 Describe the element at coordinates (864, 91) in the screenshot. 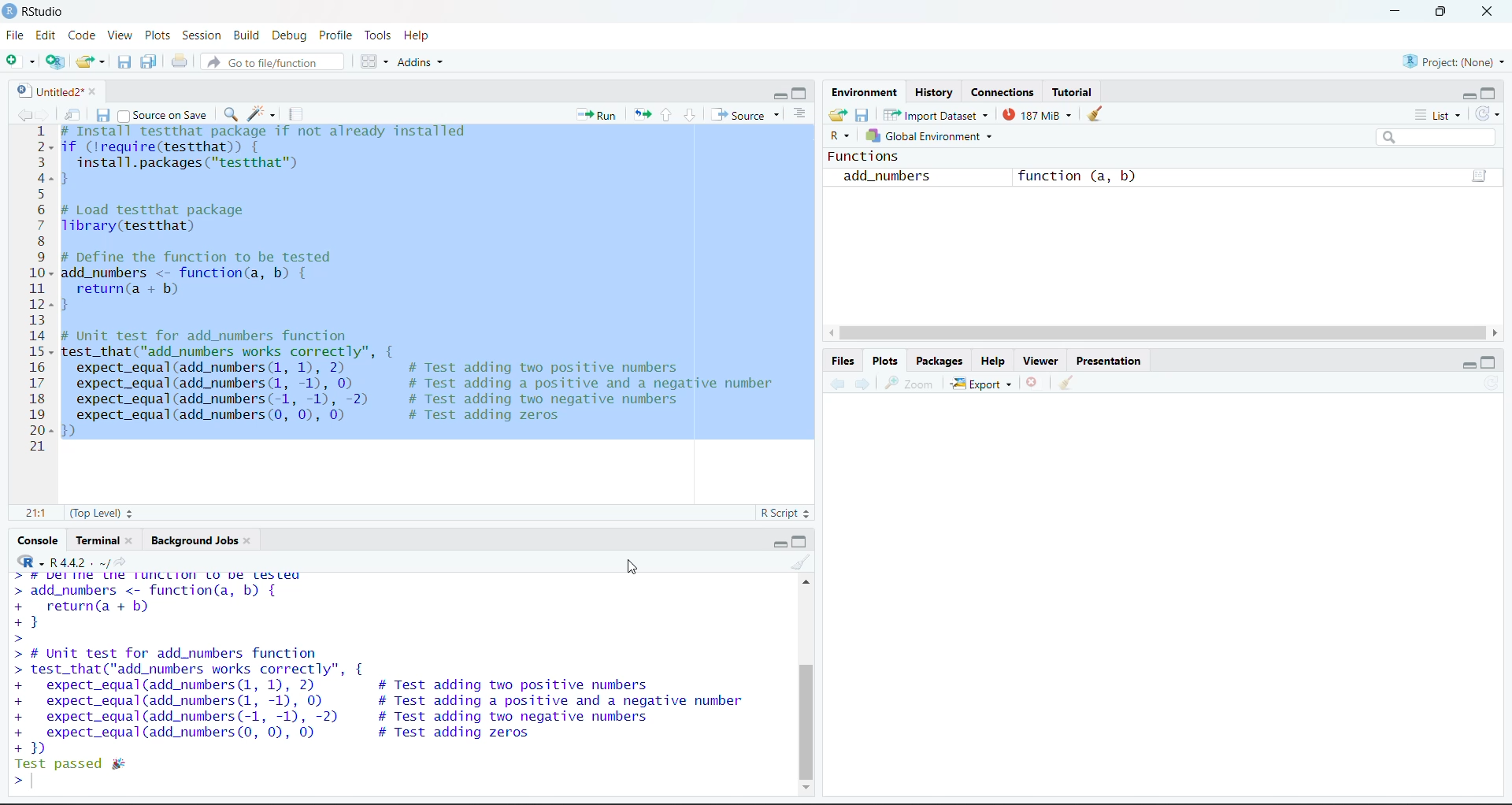

I see `Environment` at that location.